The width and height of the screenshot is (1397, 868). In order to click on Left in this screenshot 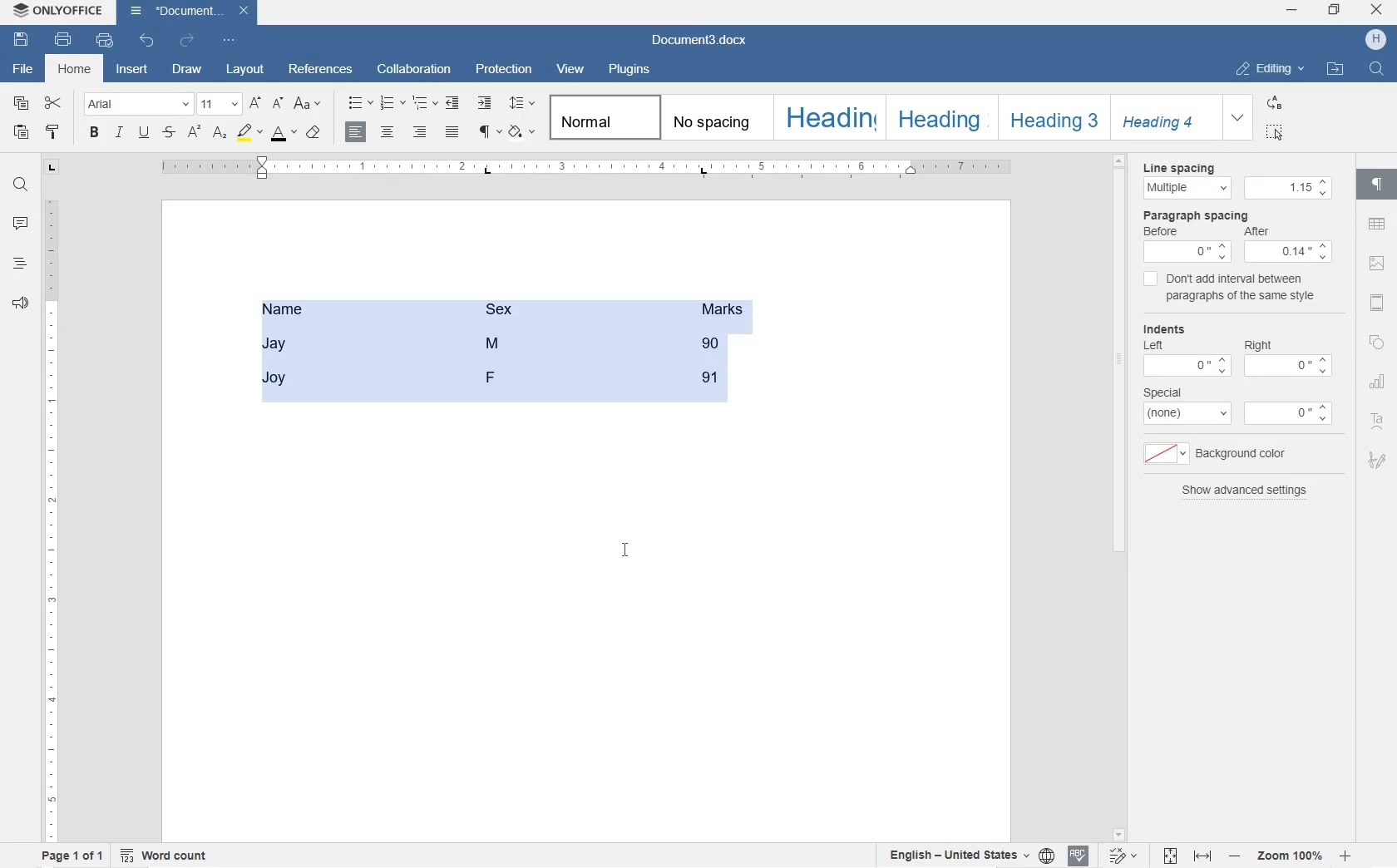, I will do `click(1184, 359)`.